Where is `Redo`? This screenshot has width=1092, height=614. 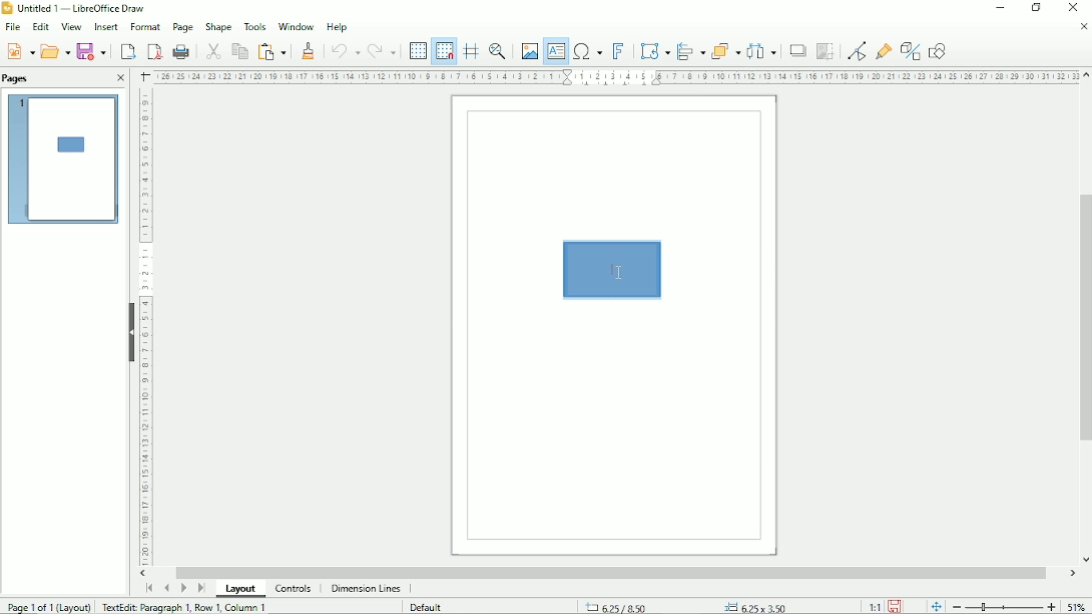 Redo is located at coordinates (384, 51).